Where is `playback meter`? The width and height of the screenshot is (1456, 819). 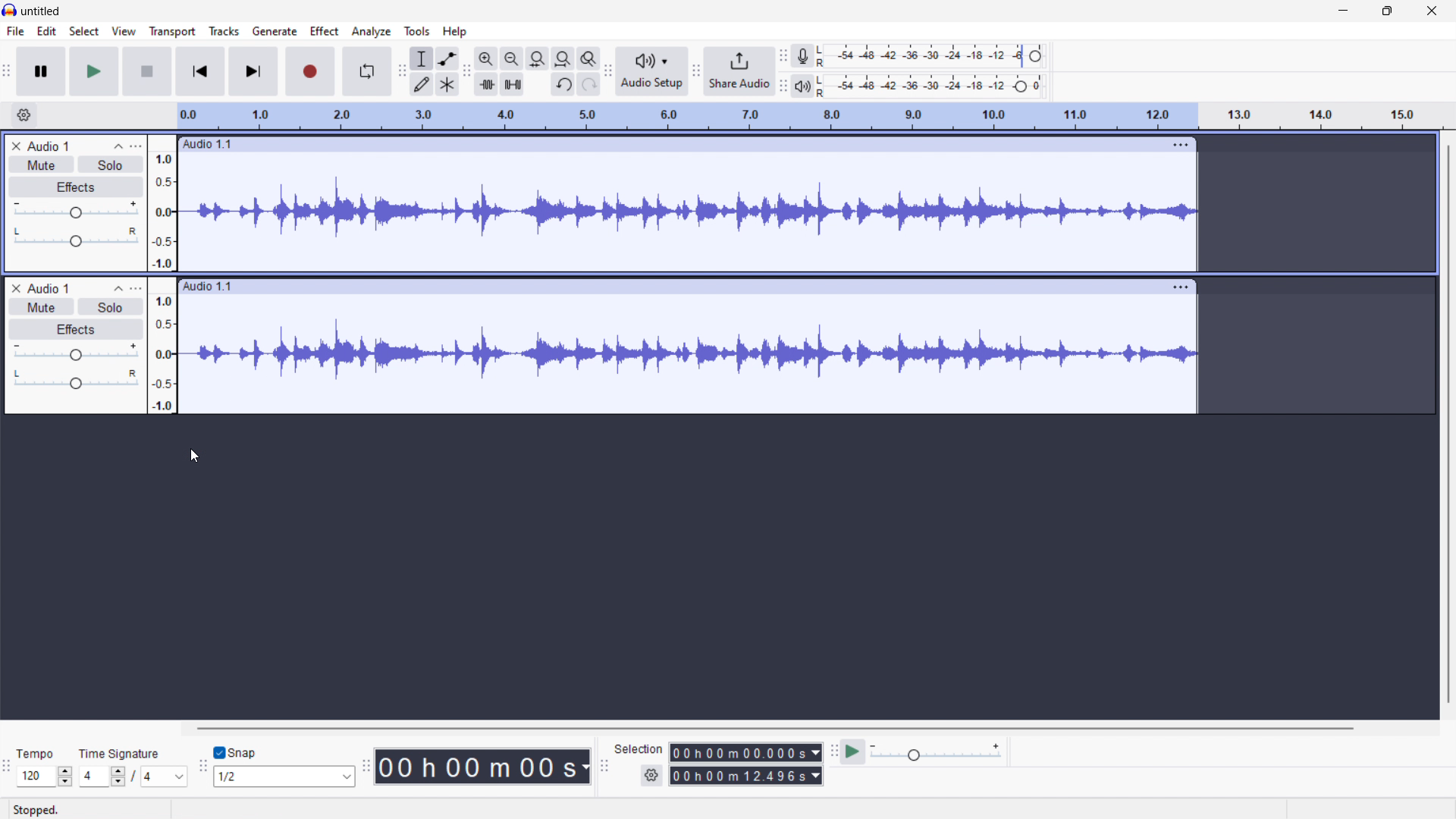
playback meter is located at coordinates (801, 86).